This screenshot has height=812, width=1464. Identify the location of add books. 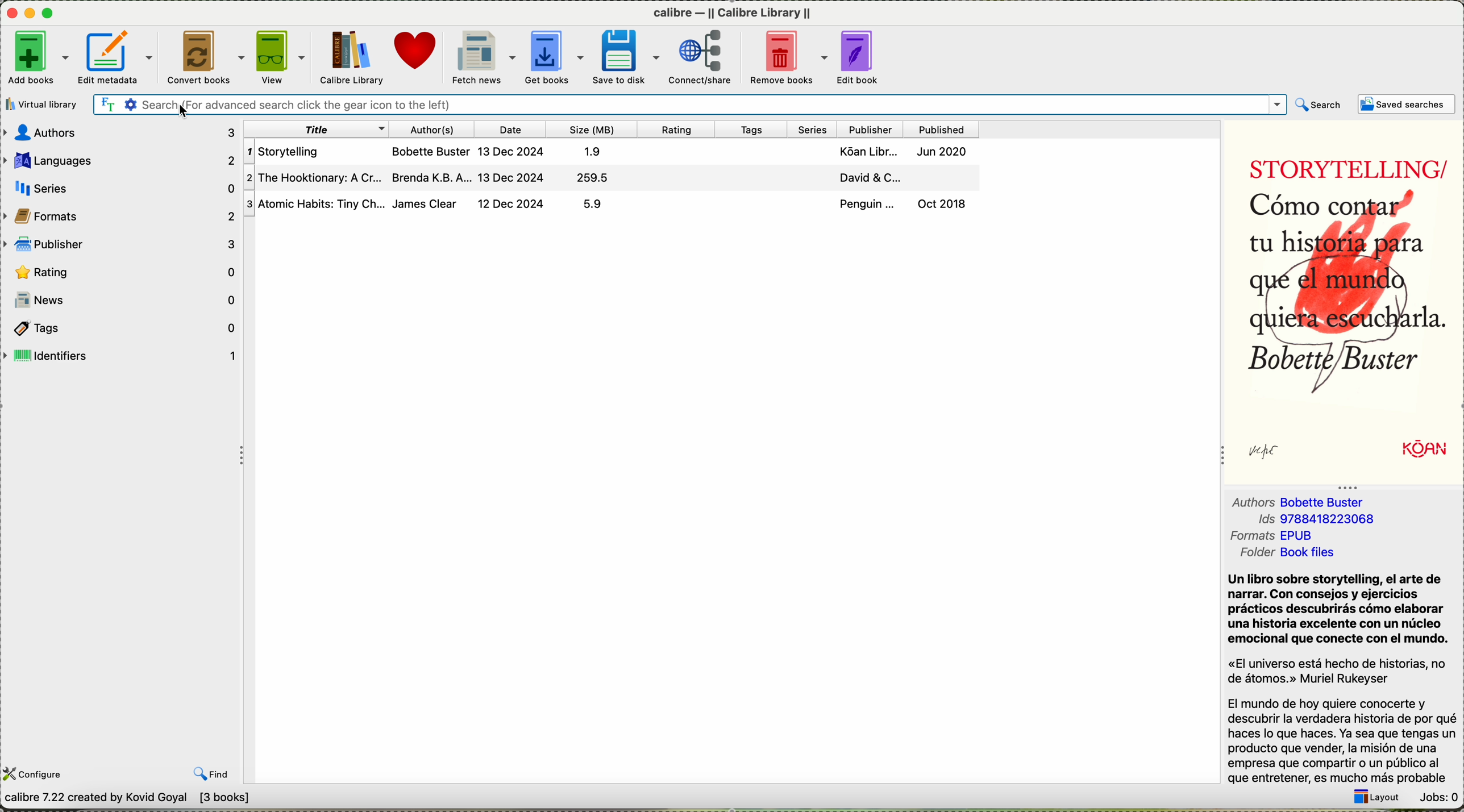
(38, 57).